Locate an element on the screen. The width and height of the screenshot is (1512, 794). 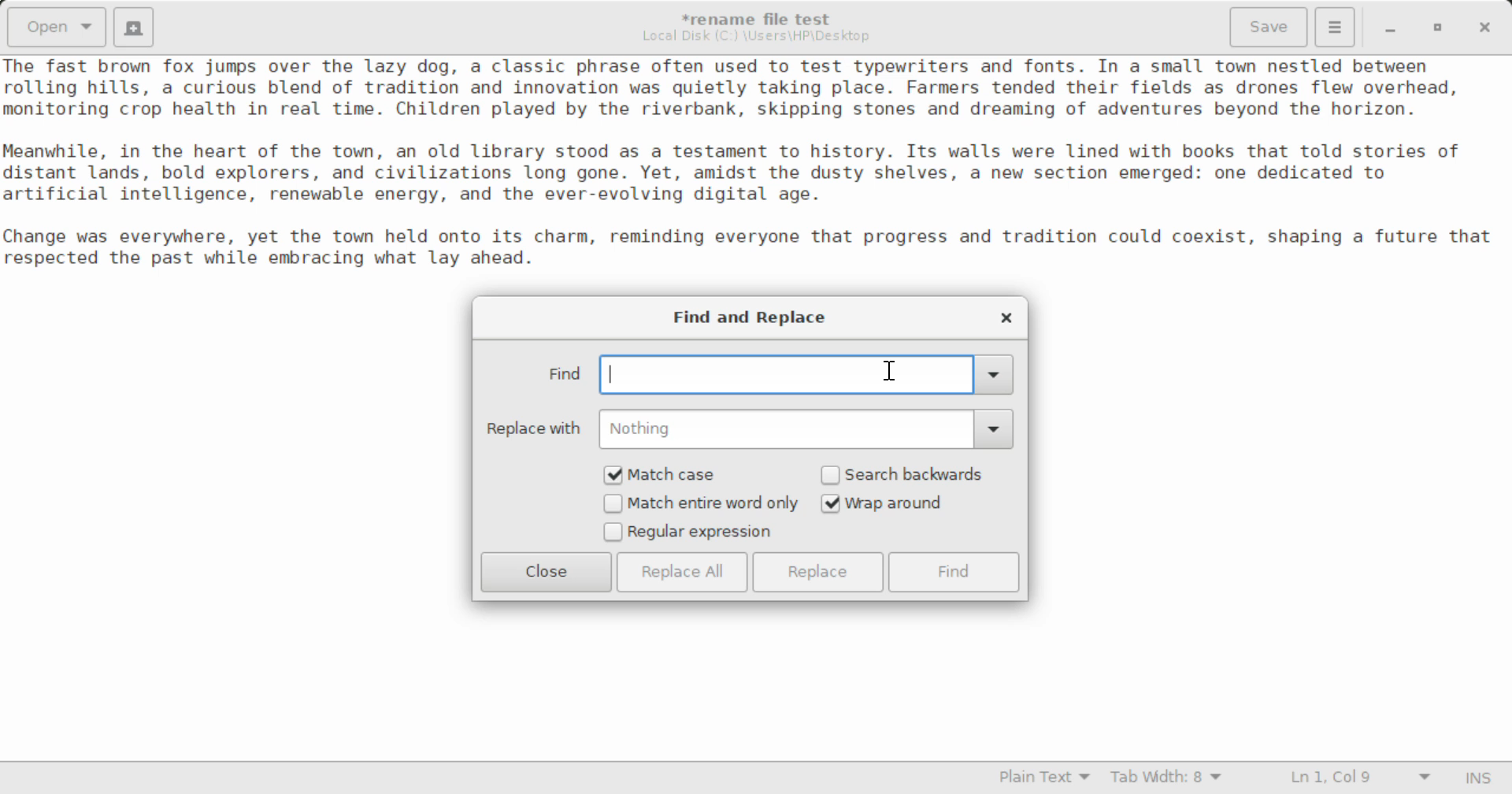
Replace All  is located at coordinates (682, 572).